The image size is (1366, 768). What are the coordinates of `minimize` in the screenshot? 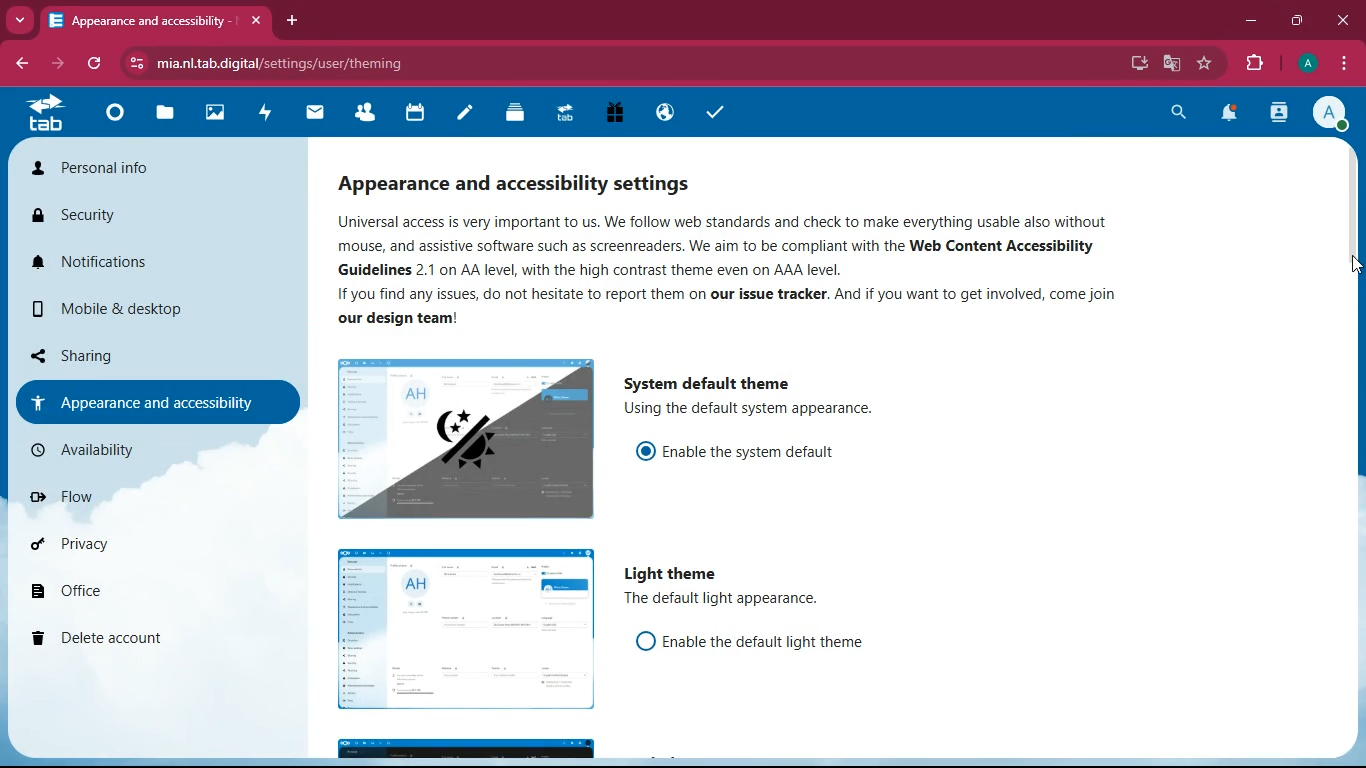 It's located at (1253, 24).